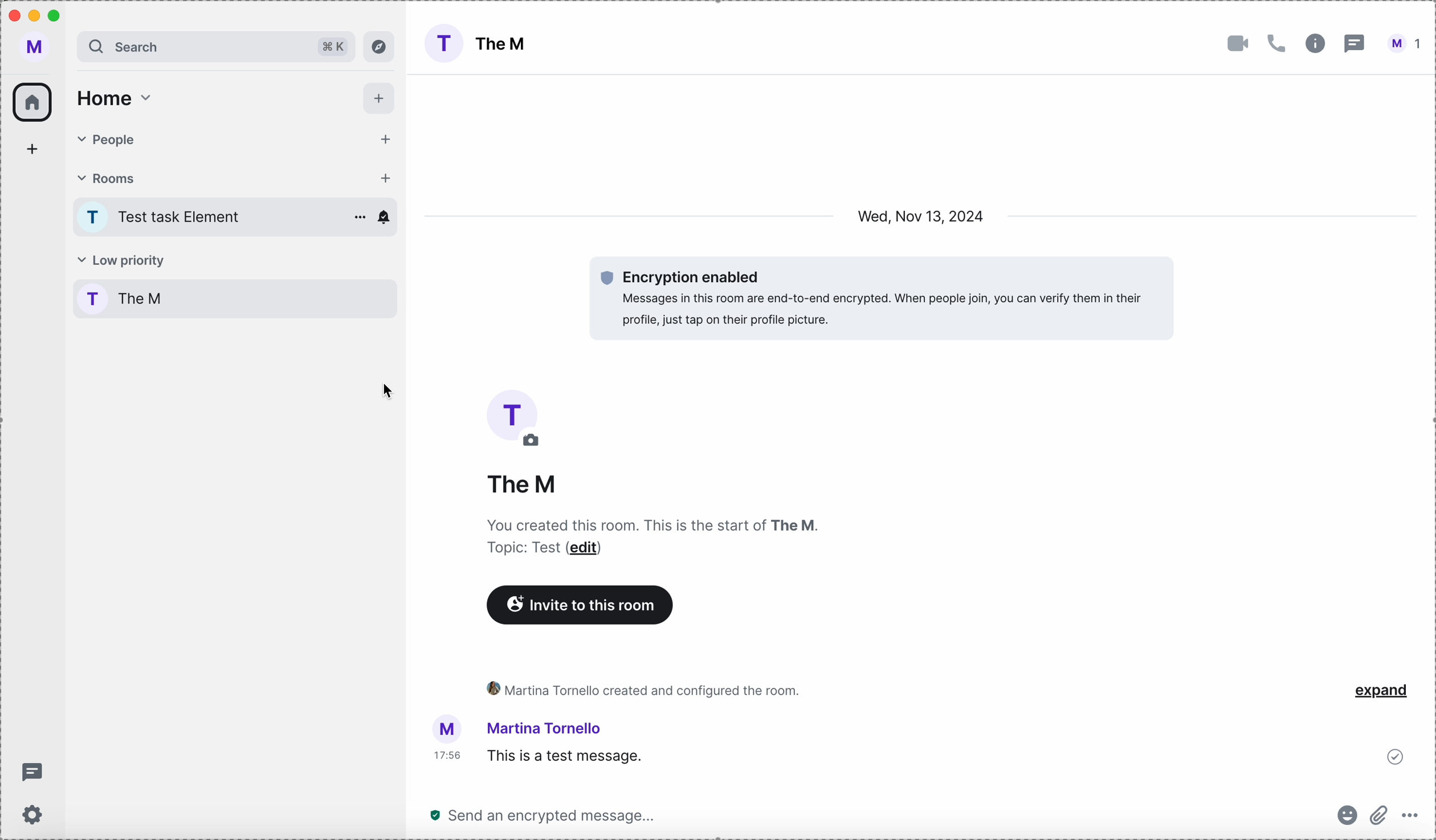 The height and width of the screenshot is (840, 1436). I want to click on short cut, so click(330, 48).